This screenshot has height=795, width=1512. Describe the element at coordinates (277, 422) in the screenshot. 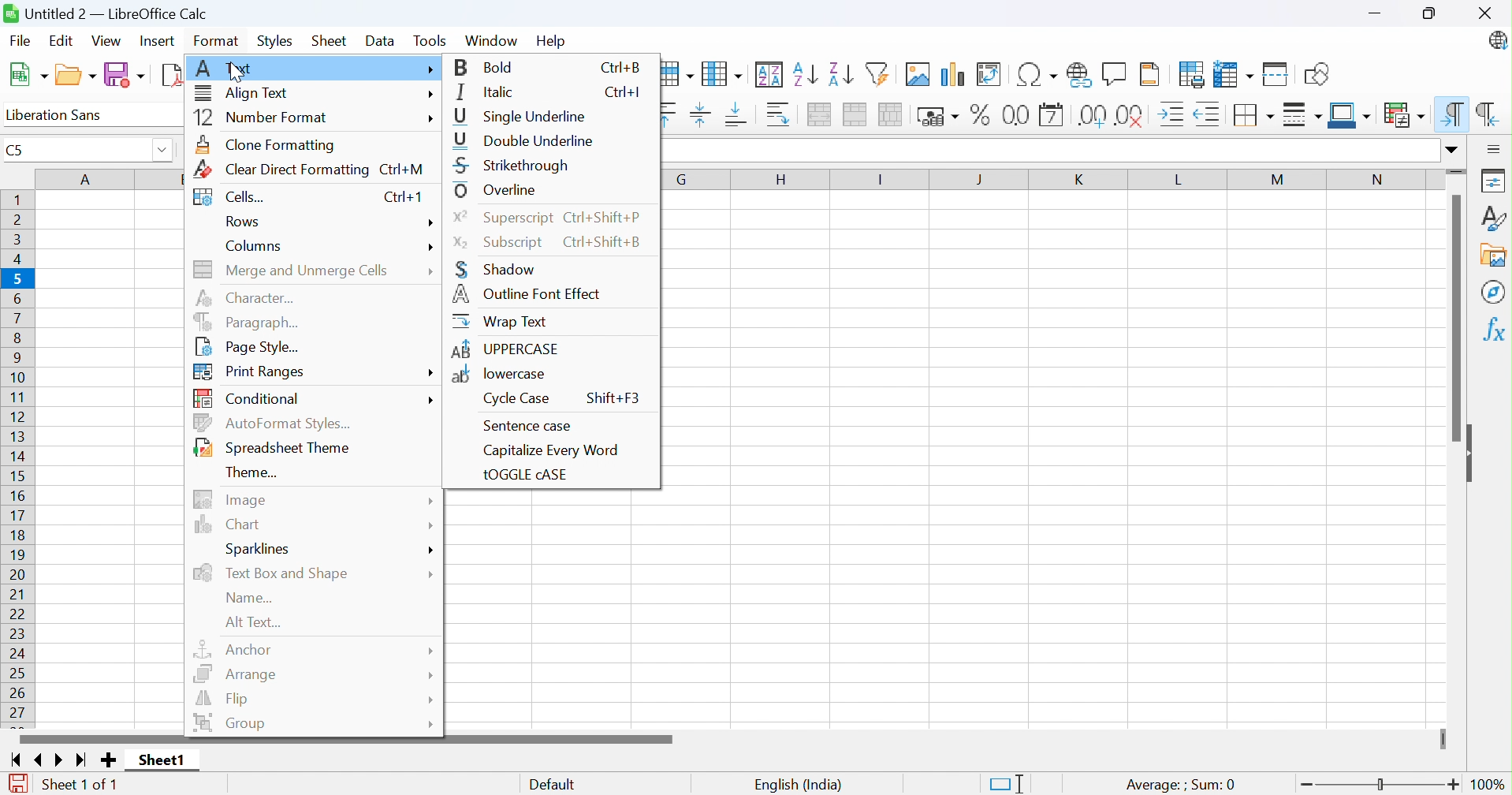

I see `AutoFormat Styles` at that location.